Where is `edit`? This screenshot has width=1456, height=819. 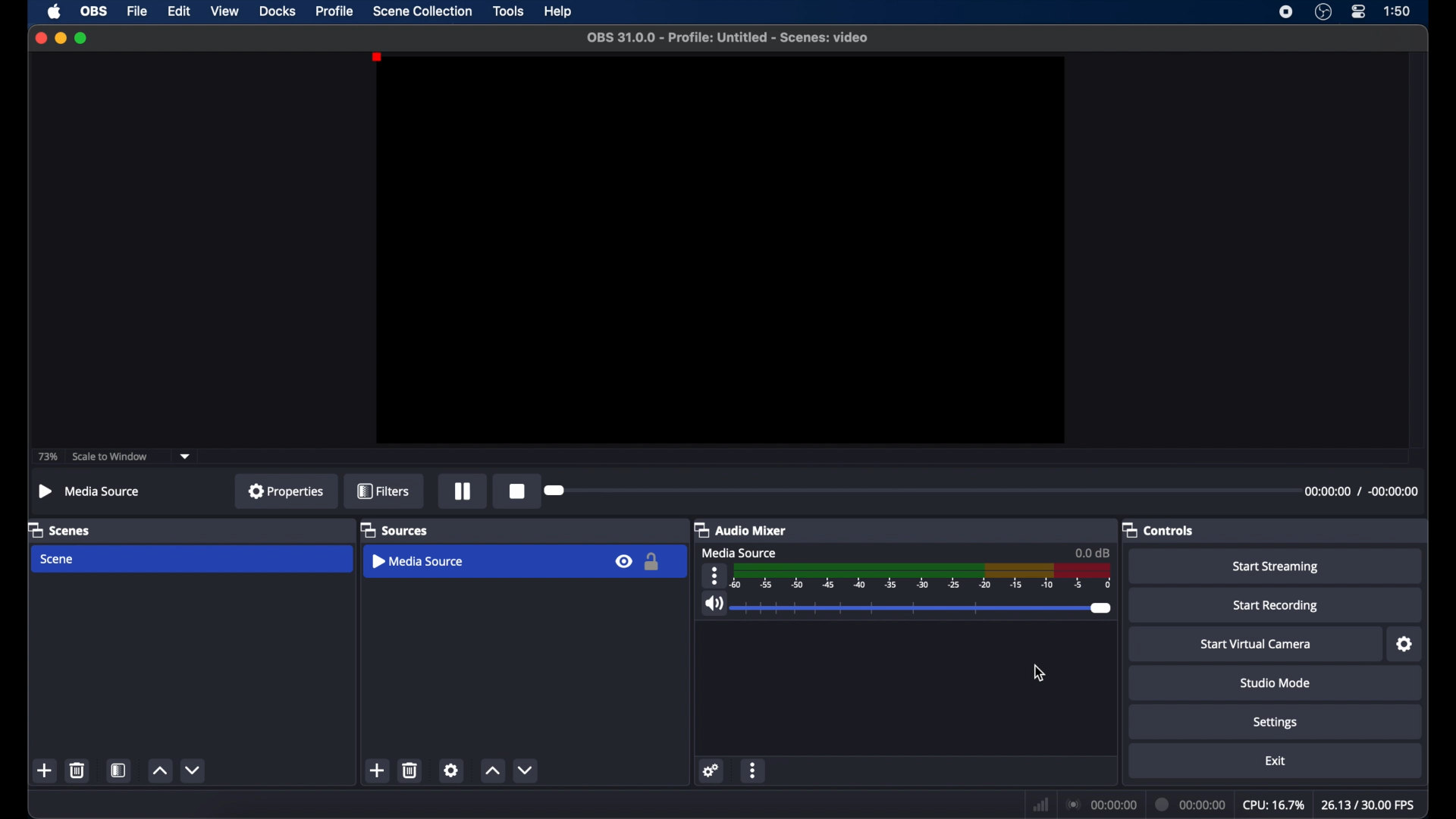
edit is located at coordinates (178, 11).